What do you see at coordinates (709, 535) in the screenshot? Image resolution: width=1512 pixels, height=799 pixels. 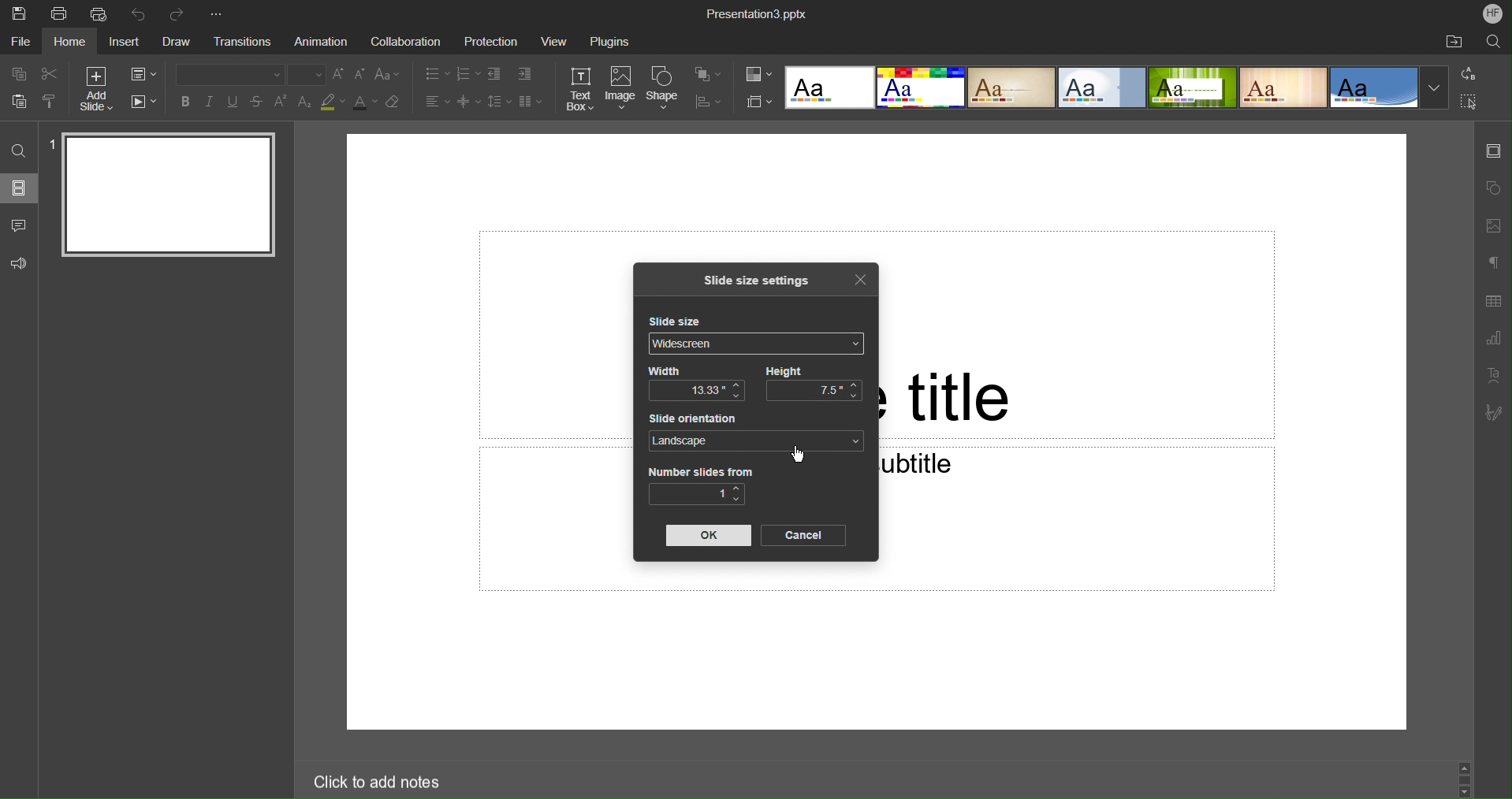 I see `OK` at bounding box center [709, 535].